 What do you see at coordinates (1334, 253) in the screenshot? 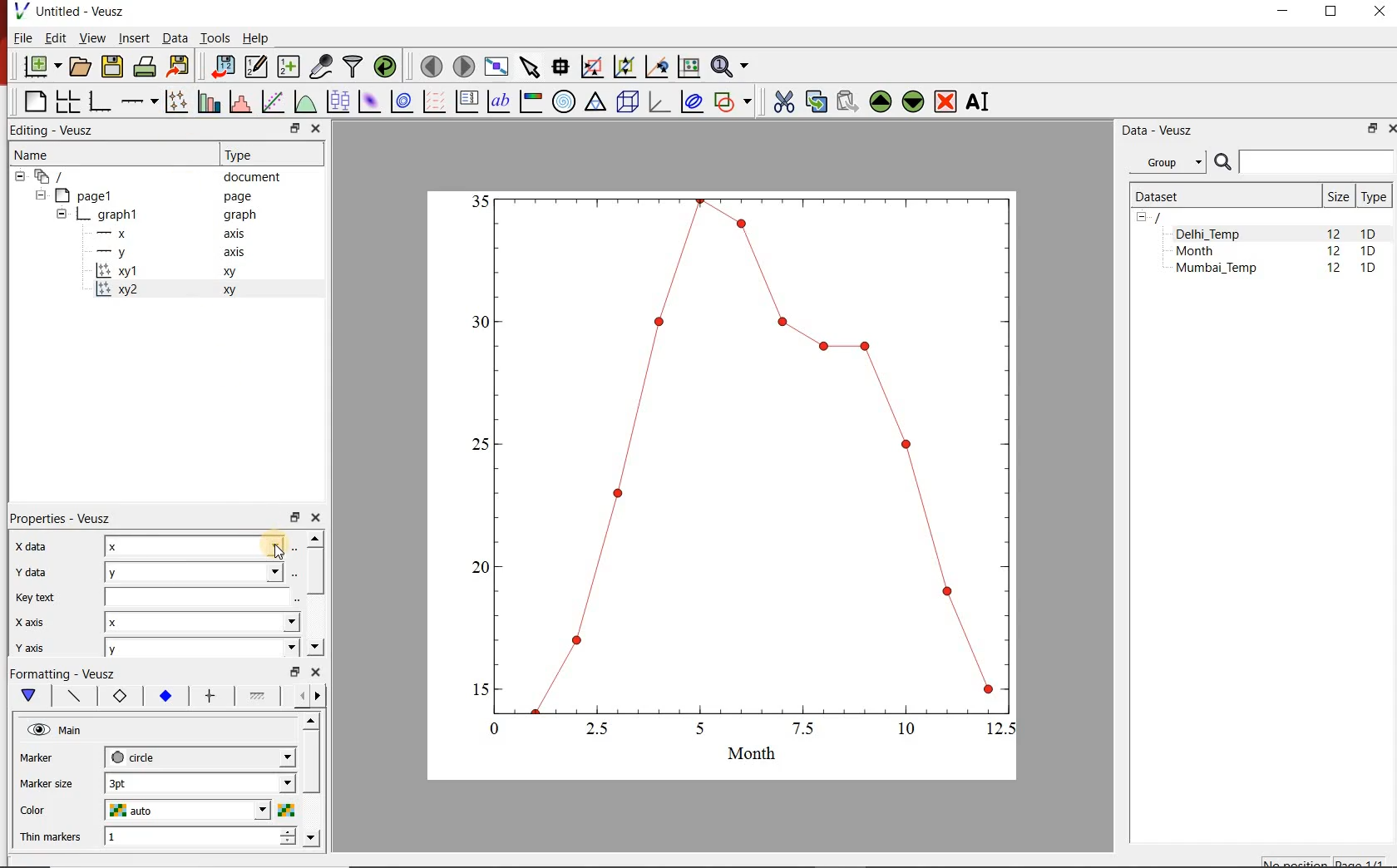
I see `12` at bounding box center [1334, 253].